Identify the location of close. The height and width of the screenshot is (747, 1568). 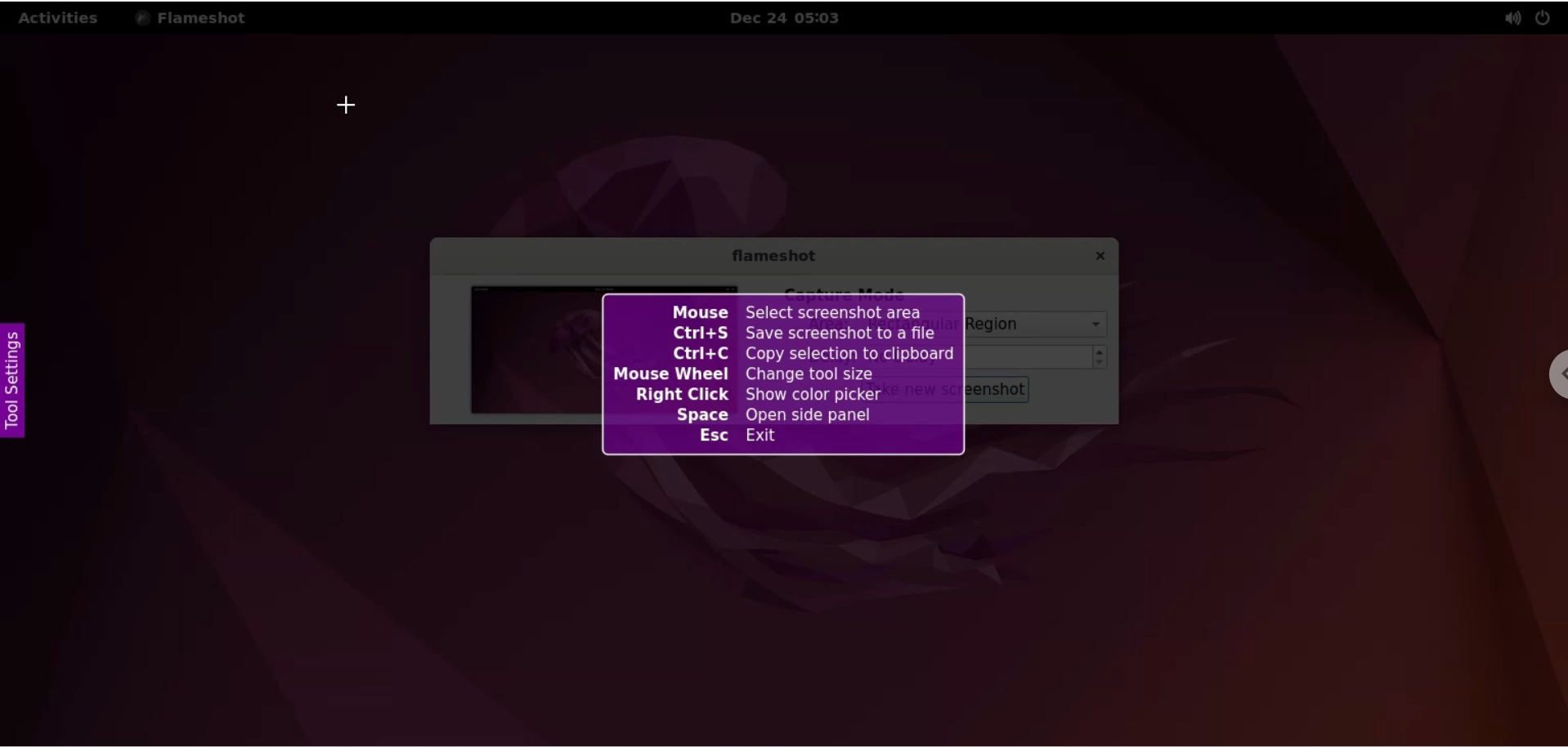
(1093, 257).